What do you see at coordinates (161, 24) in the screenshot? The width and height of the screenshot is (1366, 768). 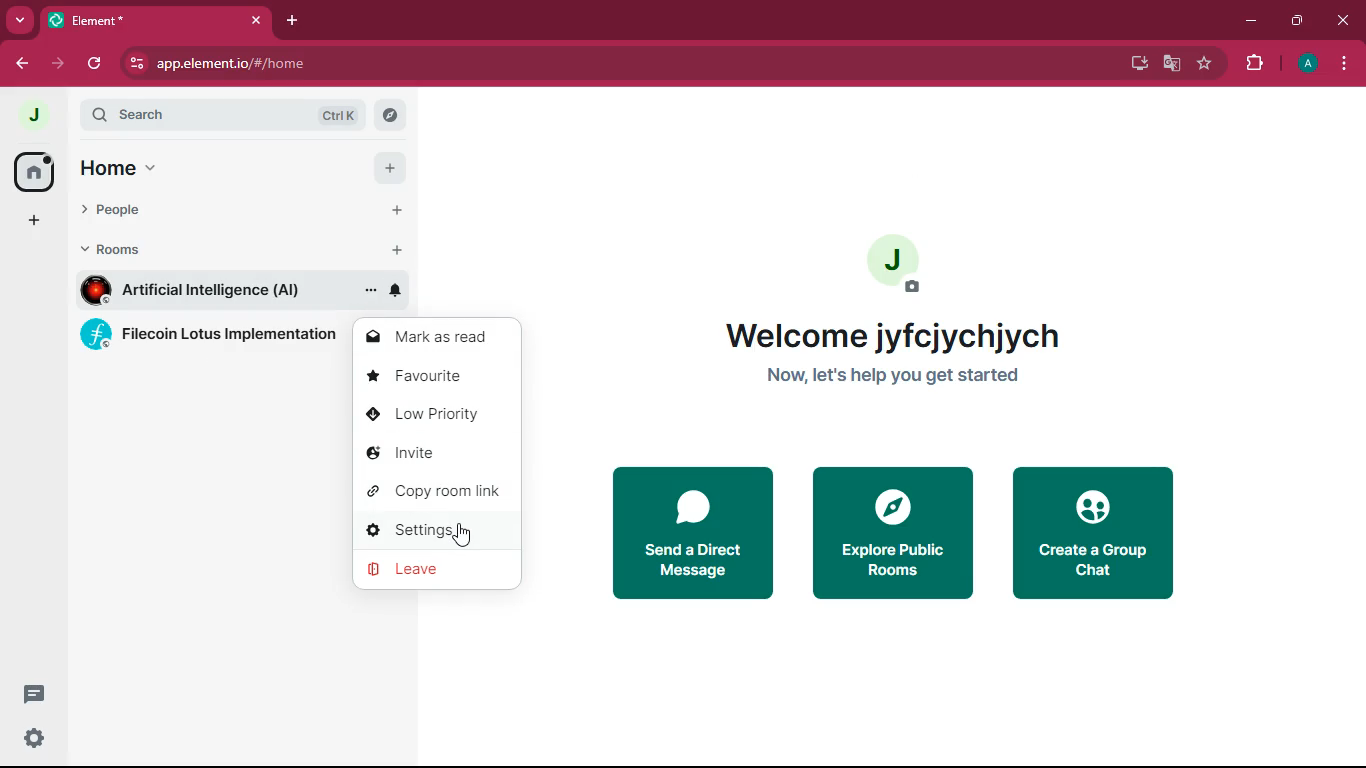 I see `tab` at bounding box center [161, 24].